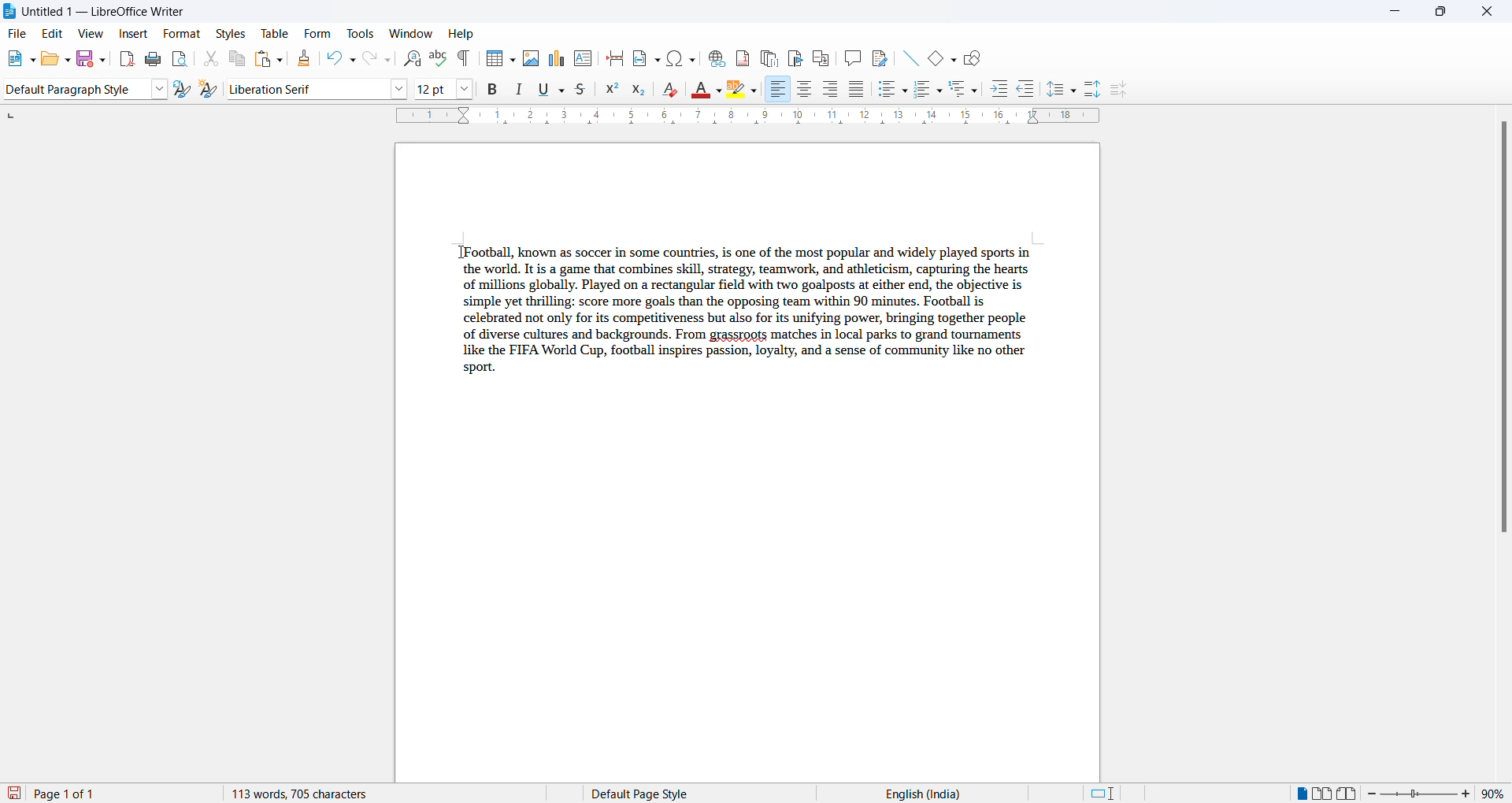 This screenshot has height=803, width=1512. I want to click on total and current page, so click(120, 792).